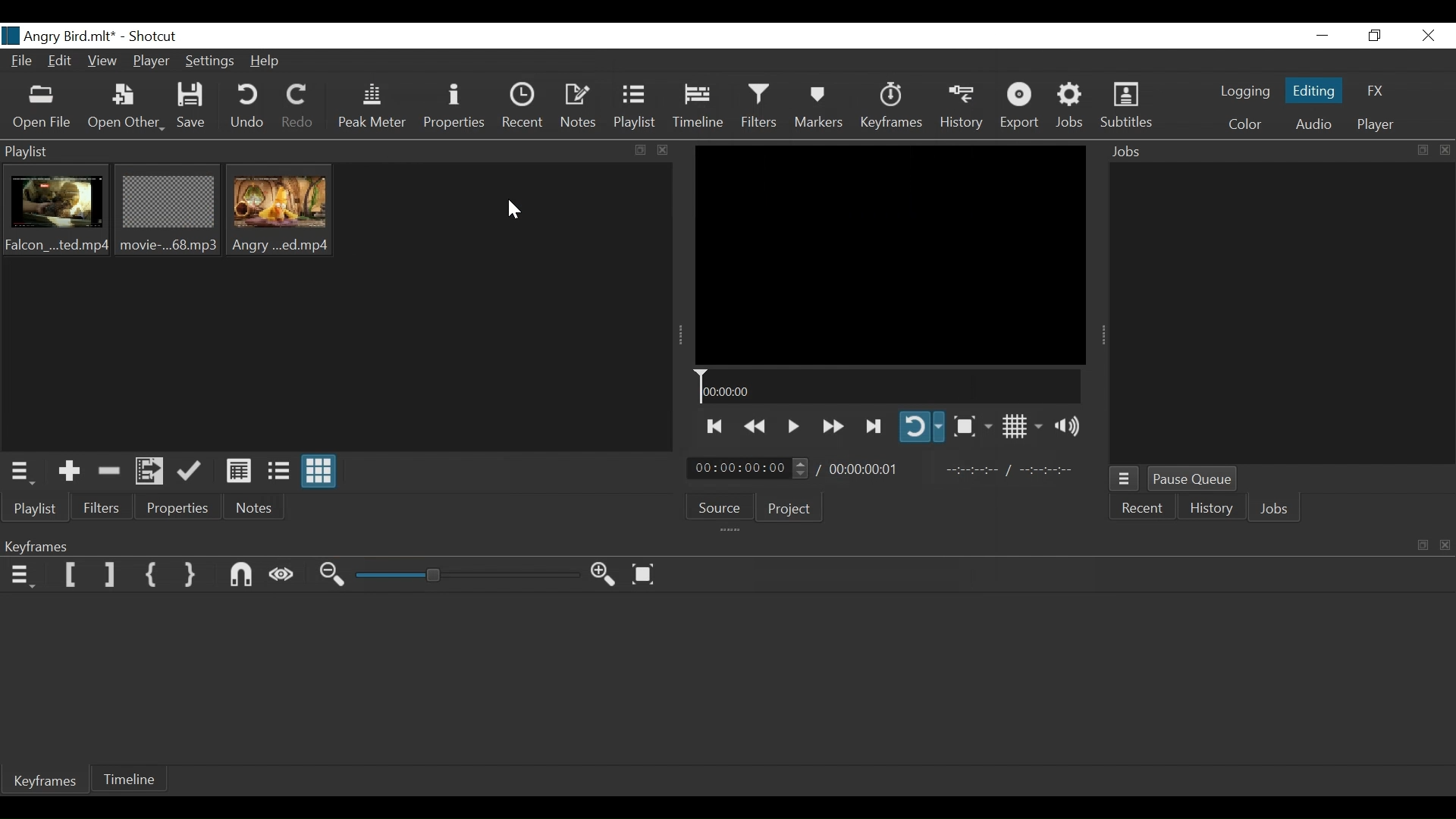 The height and width of the screenshot is (819, 1456). What do you see at coordinates (287, 212) in the screenshot?
I see `Clip` at bounding box center [287, 212].